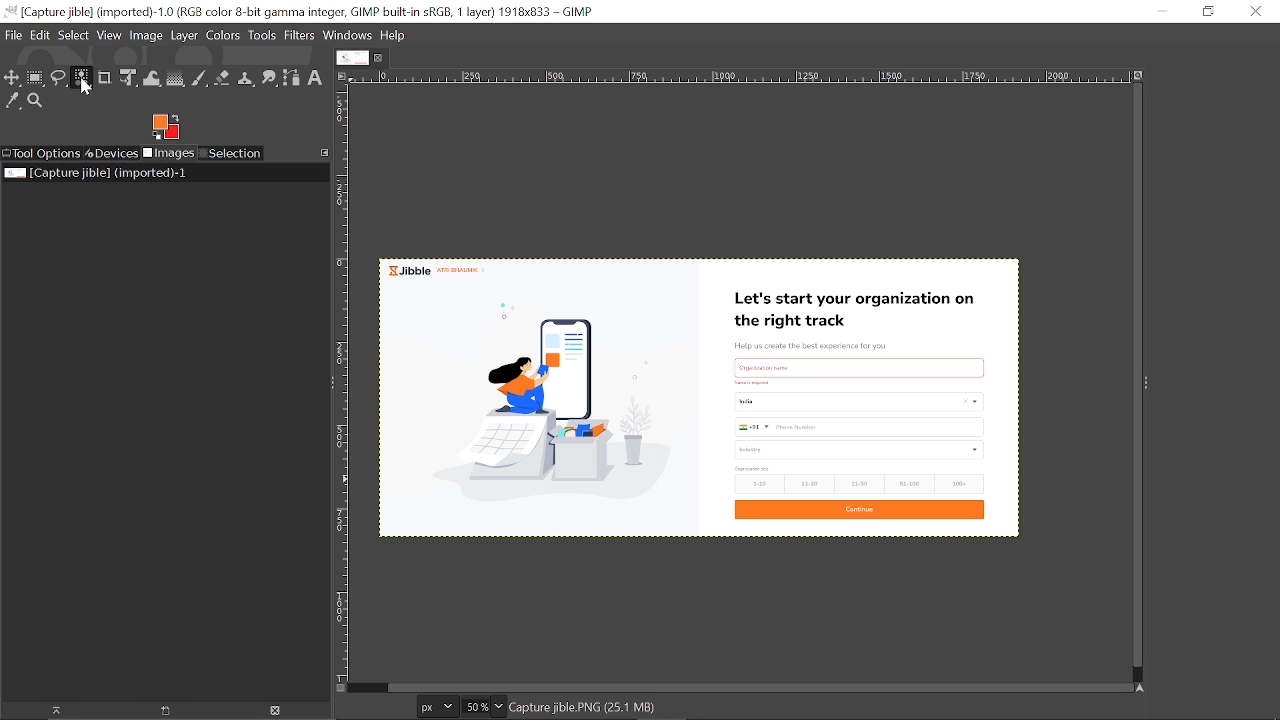  Describe the element at coordinates (50, 711) in the screenshot. I see `Raise image for this display` at that location.